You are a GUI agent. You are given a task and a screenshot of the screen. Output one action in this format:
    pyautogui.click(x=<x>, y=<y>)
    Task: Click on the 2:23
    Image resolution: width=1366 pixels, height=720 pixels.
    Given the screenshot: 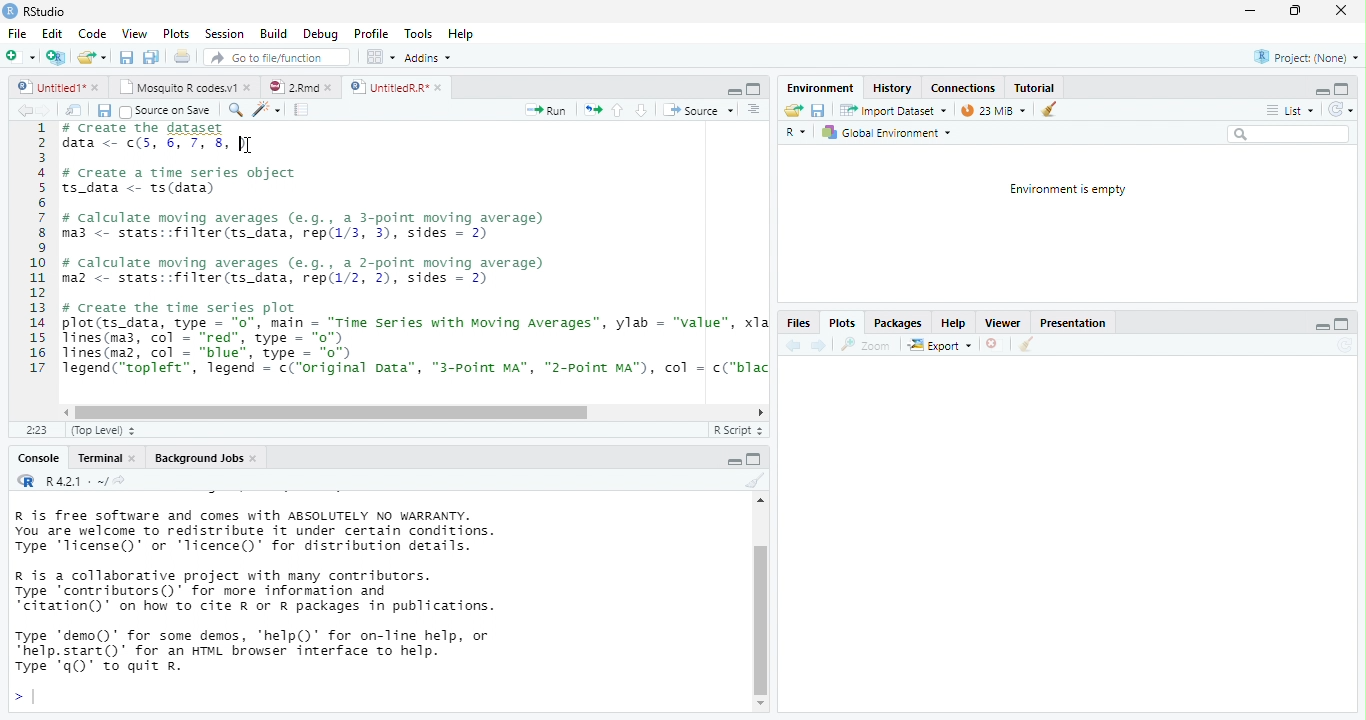 What is the action you would take?
    pyautogui.click(x=37, y=431)
    